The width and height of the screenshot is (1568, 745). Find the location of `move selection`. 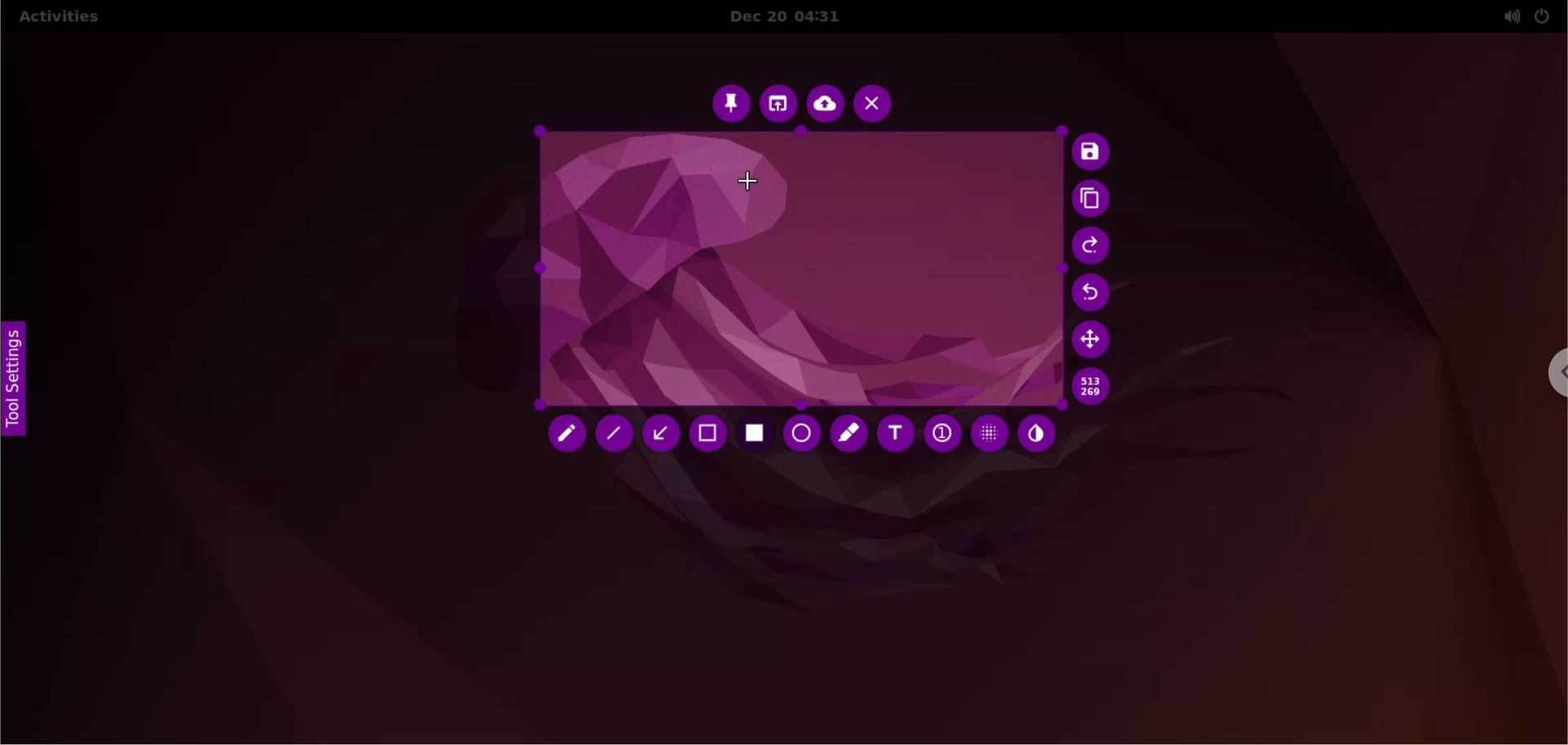

move selection is located at coordinates (1092, 340).